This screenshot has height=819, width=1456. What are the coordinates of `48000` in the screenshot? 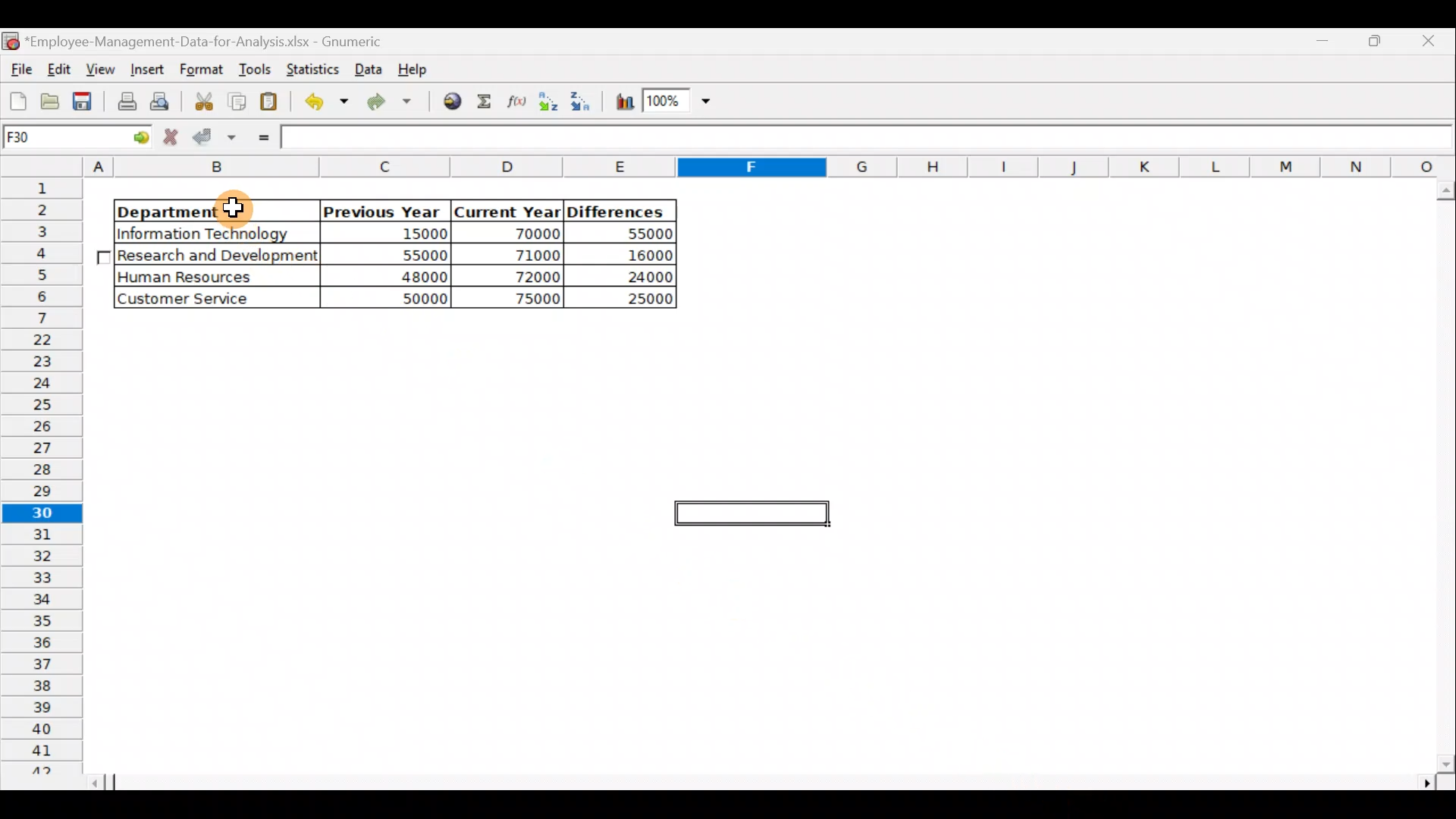 It's located at (399, 278).